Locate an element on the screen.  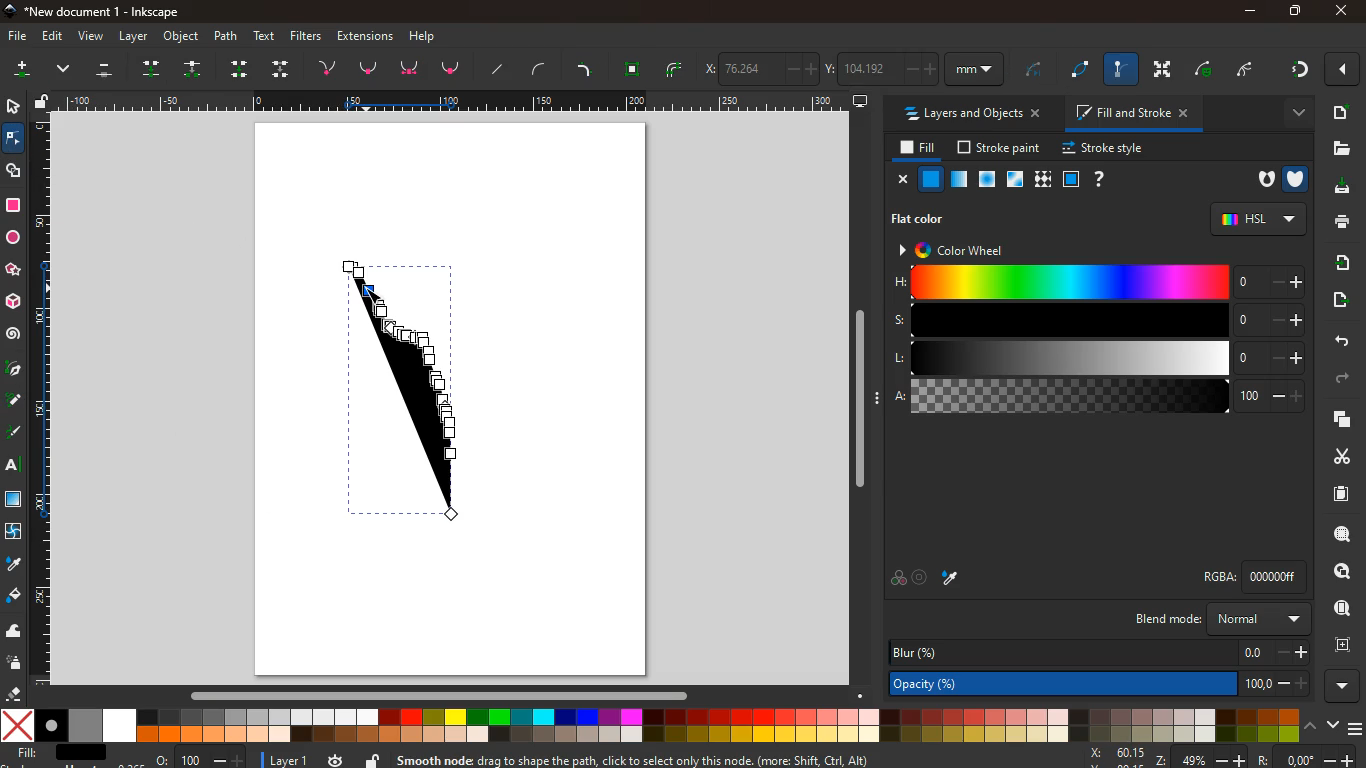
fullscreen is located at coordinates (1165, 69).